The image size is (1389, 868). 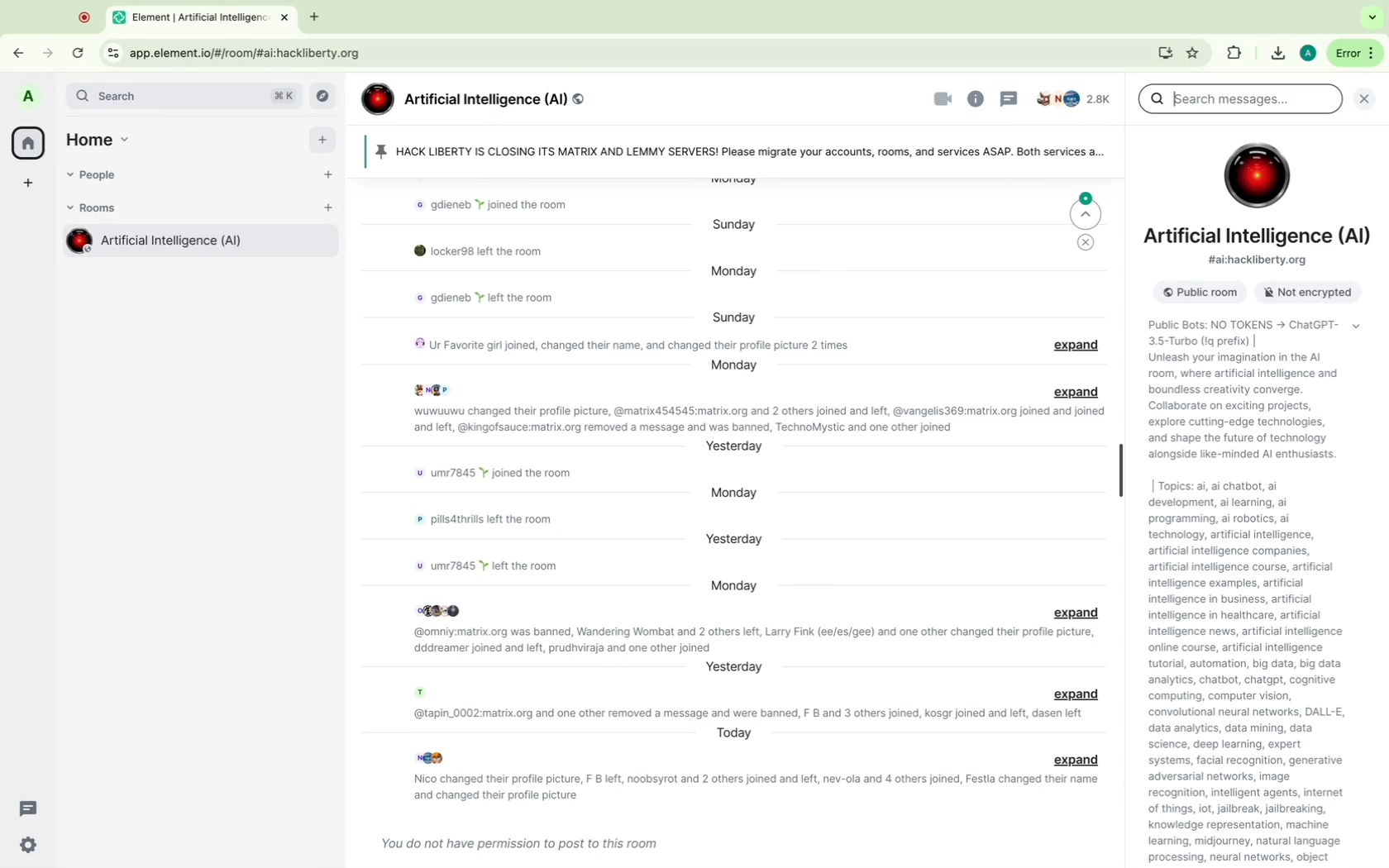 What do you see at coordinates (754, 421) in the screenshot?
I see `message` at bounding box center [754, 421].